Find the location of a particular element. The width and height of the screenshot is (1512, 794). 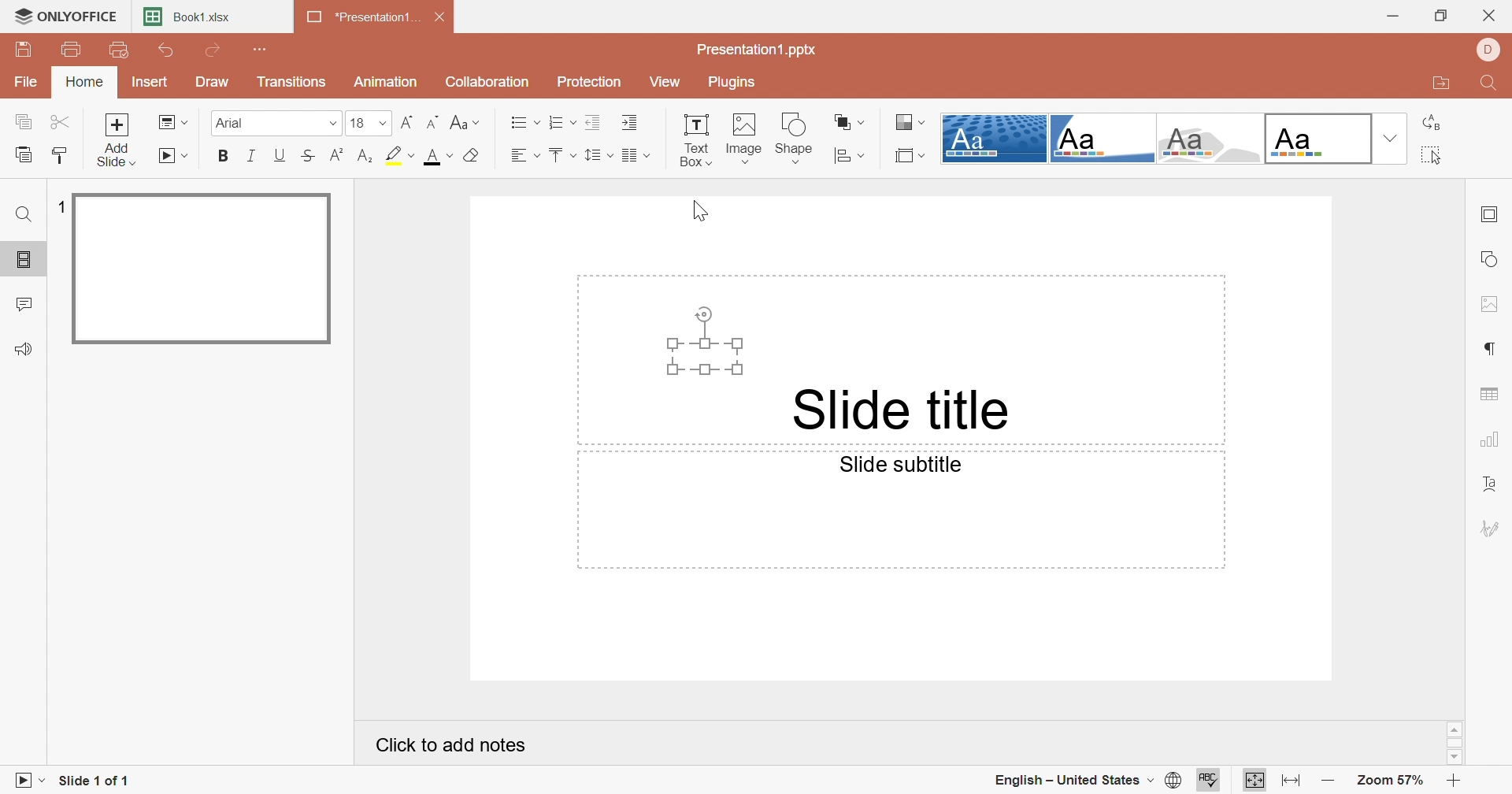

Slide title is located at coordinates (908, 410).